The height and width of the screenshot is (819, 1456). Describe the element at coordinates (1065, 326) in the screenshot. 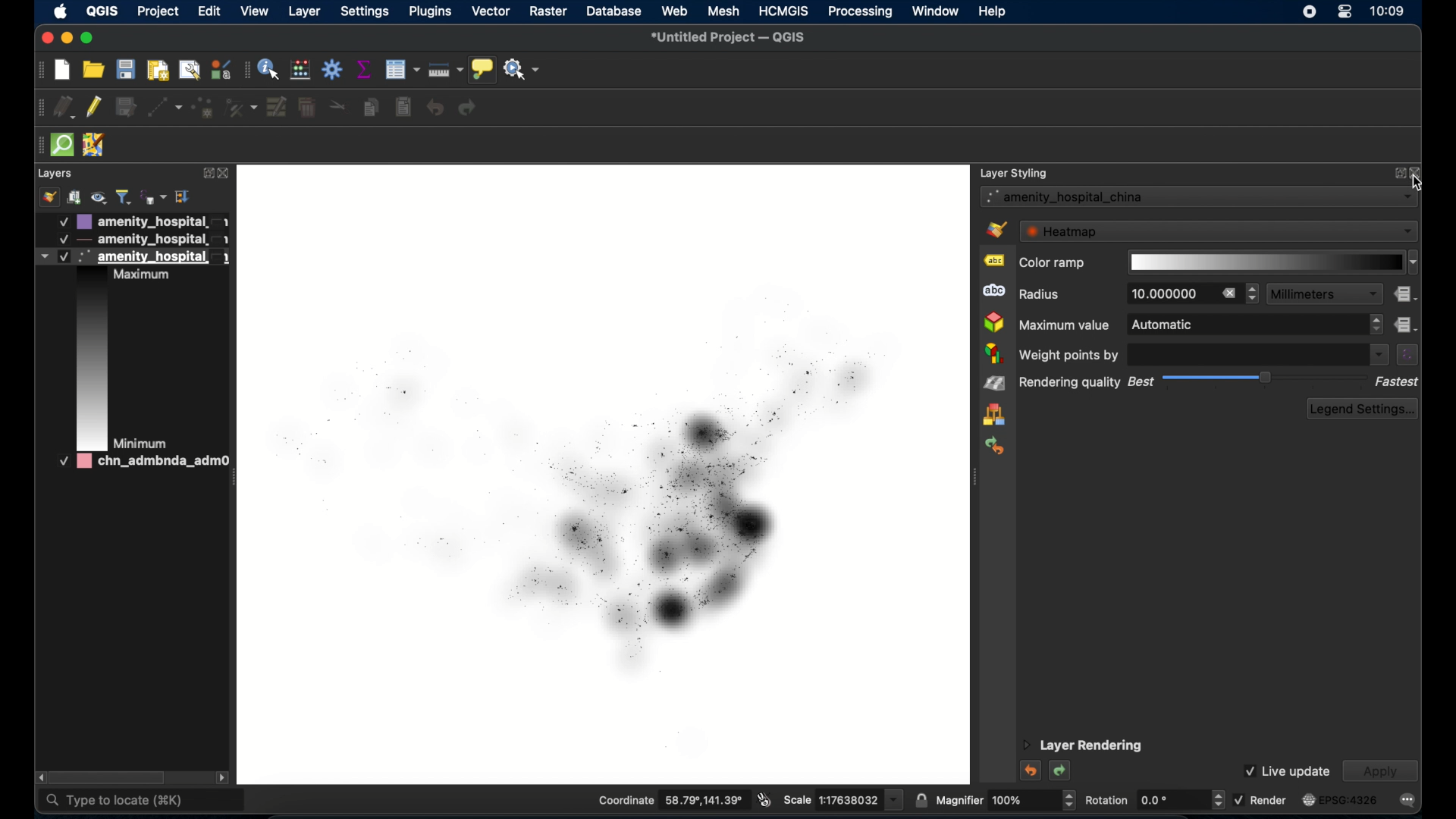

I see `maximum value` at that location.